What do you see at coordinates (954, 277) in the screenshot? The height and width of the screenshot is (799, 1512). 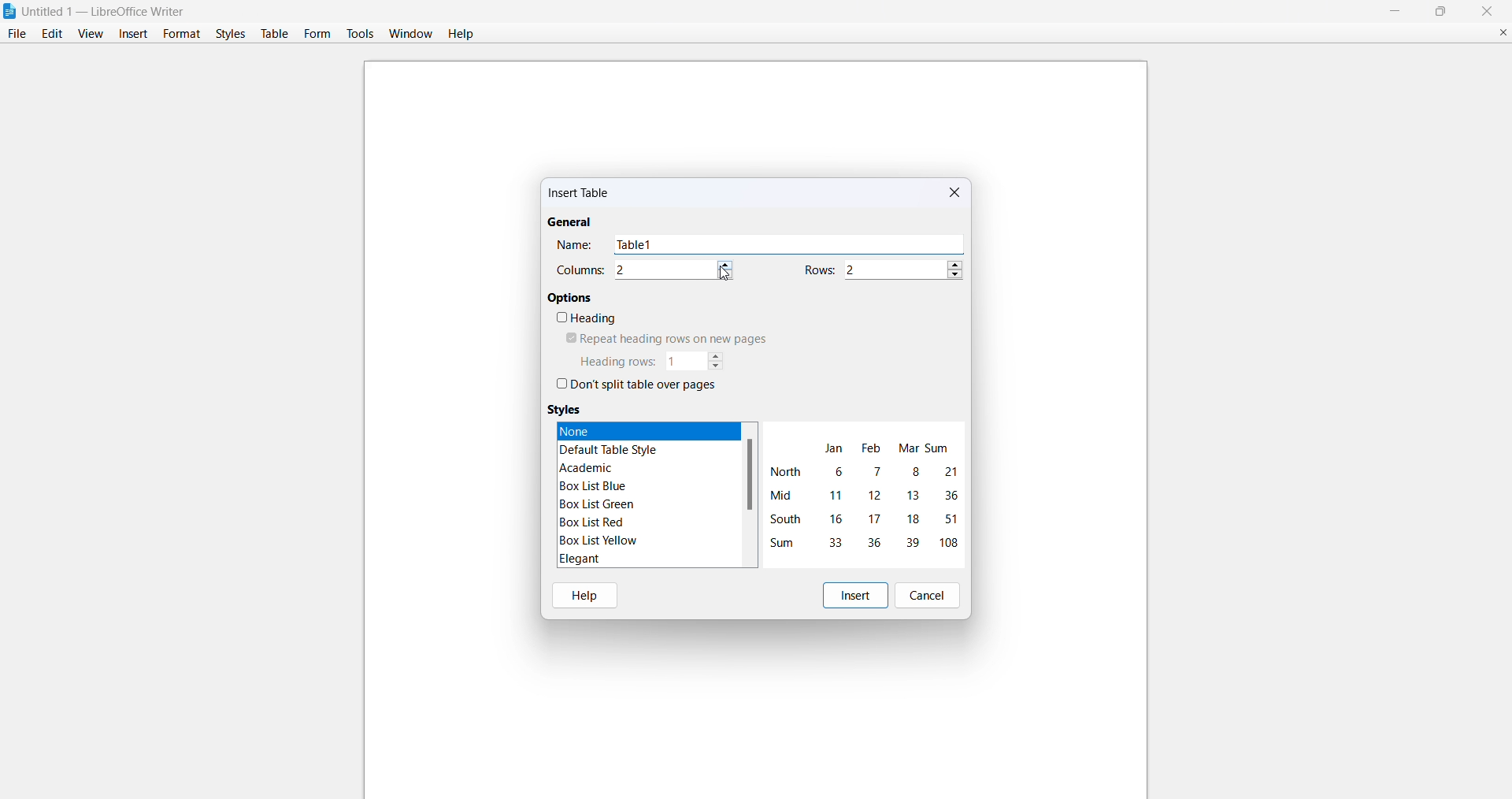 I see `decrease rows` at bounding box center [954, 277].